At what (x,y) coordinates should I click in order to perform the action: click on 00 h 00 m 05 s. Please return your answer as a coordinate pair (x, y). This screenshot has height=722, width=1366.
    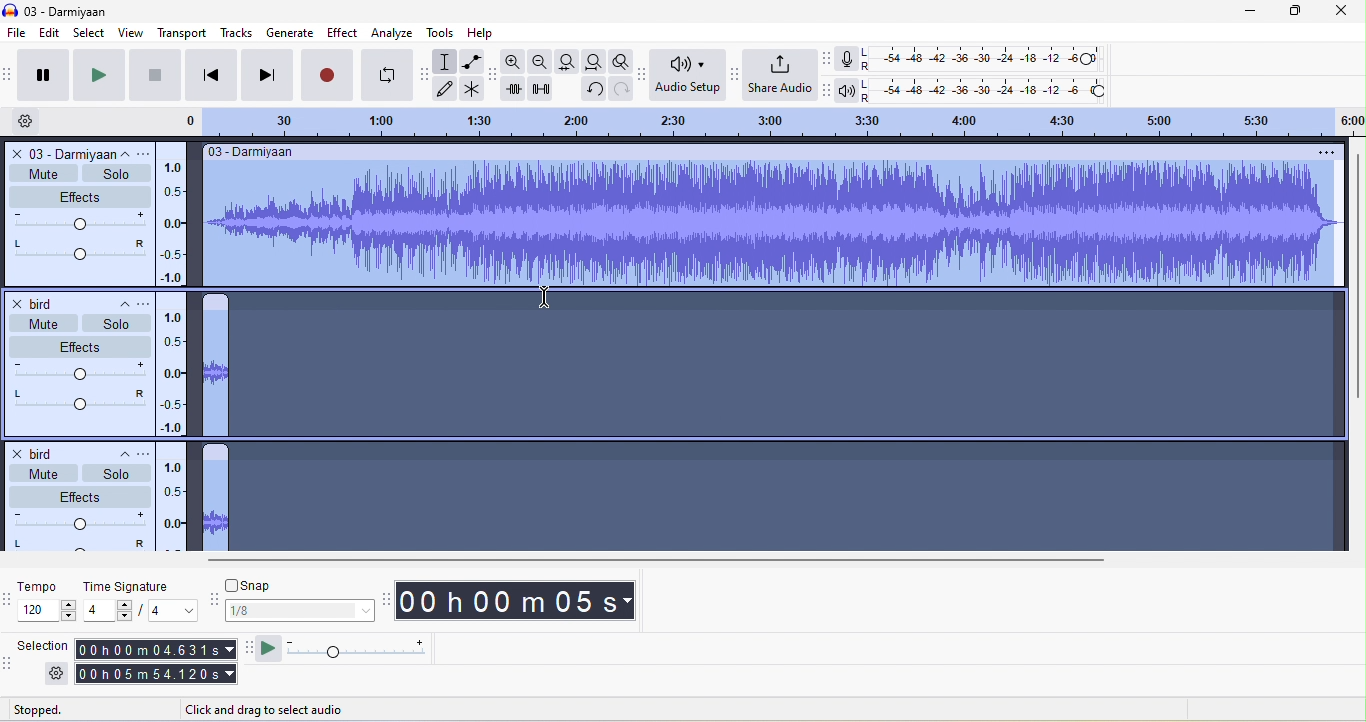
    Looking at the image, I should click on (525, 603).